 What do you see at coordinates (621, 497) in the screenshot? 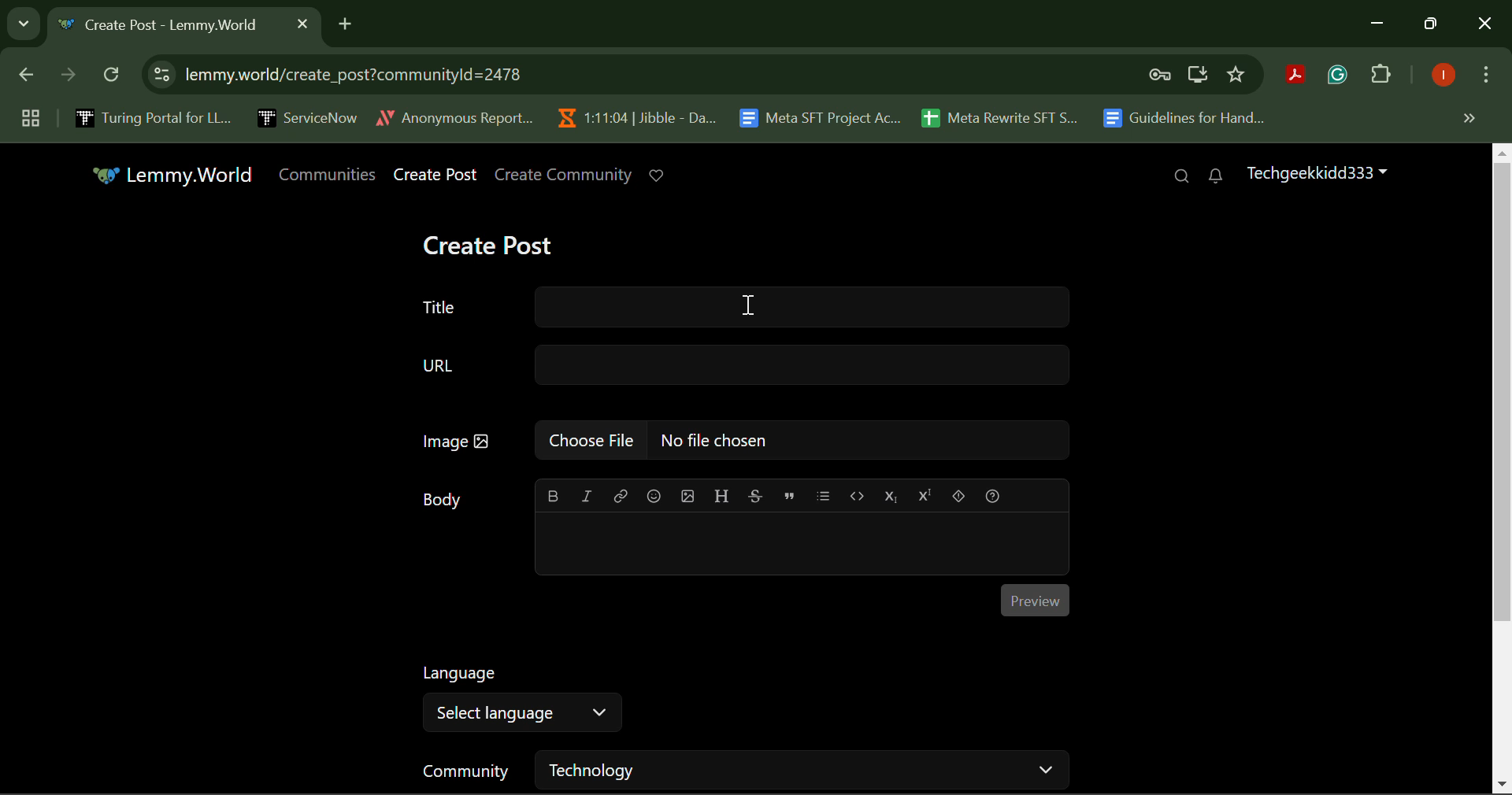
I see `link` at bounding box center [621, 497].